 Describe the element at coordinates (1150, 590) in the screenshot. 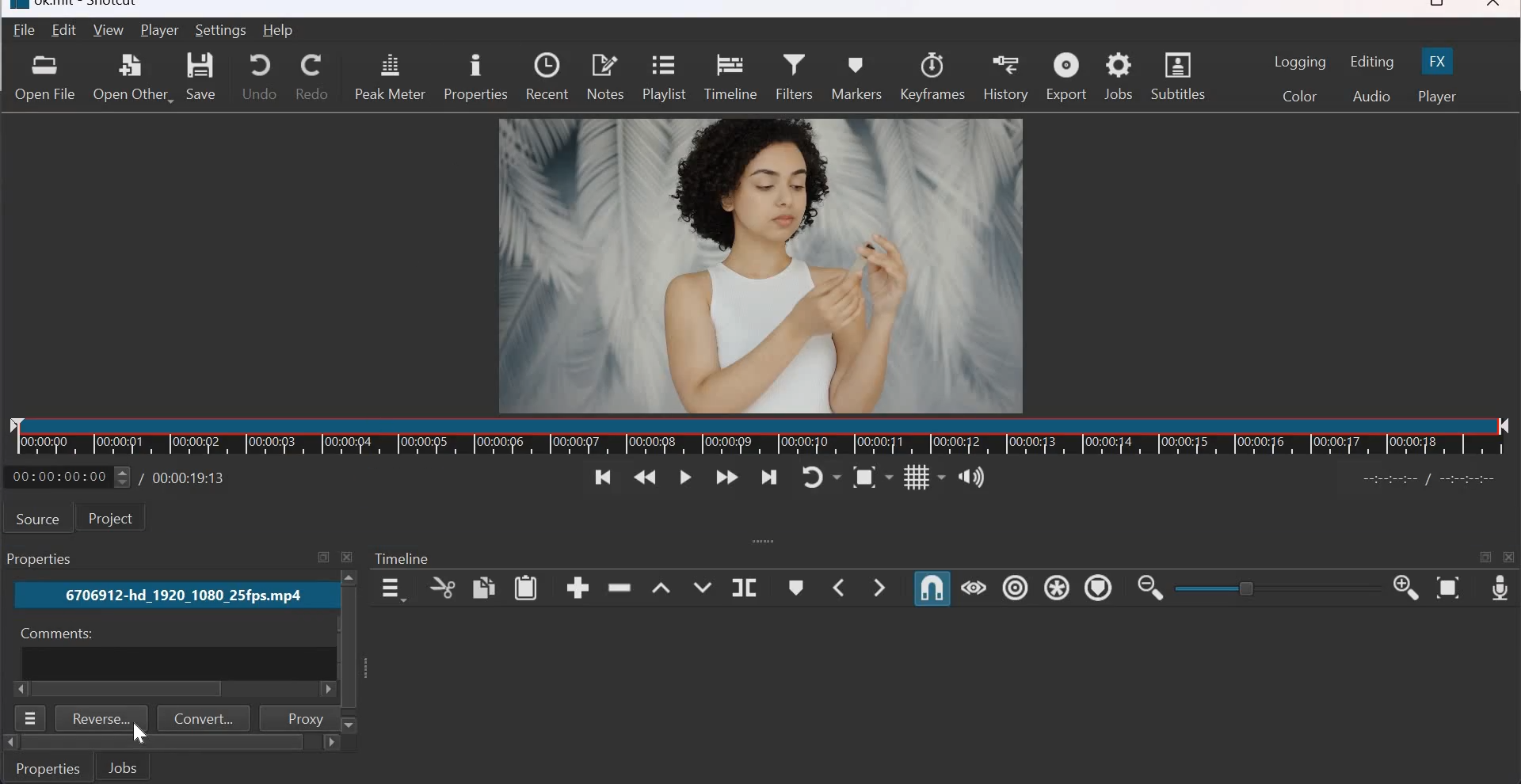

I see `Zoom Timeline out` at that location.